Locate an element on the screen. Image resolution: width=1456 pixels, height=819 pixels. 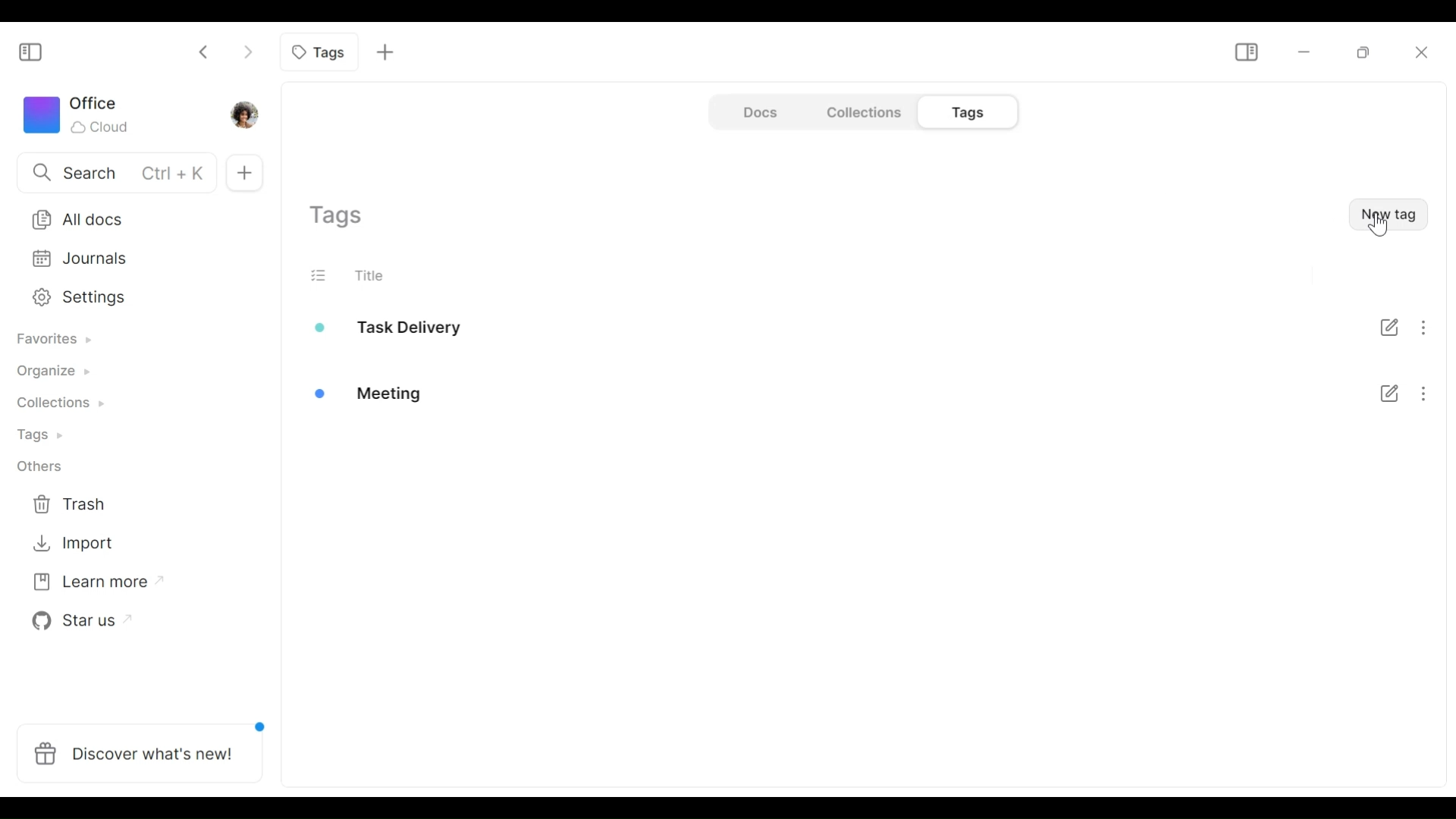
Organize is located at coordinates (57, 372).